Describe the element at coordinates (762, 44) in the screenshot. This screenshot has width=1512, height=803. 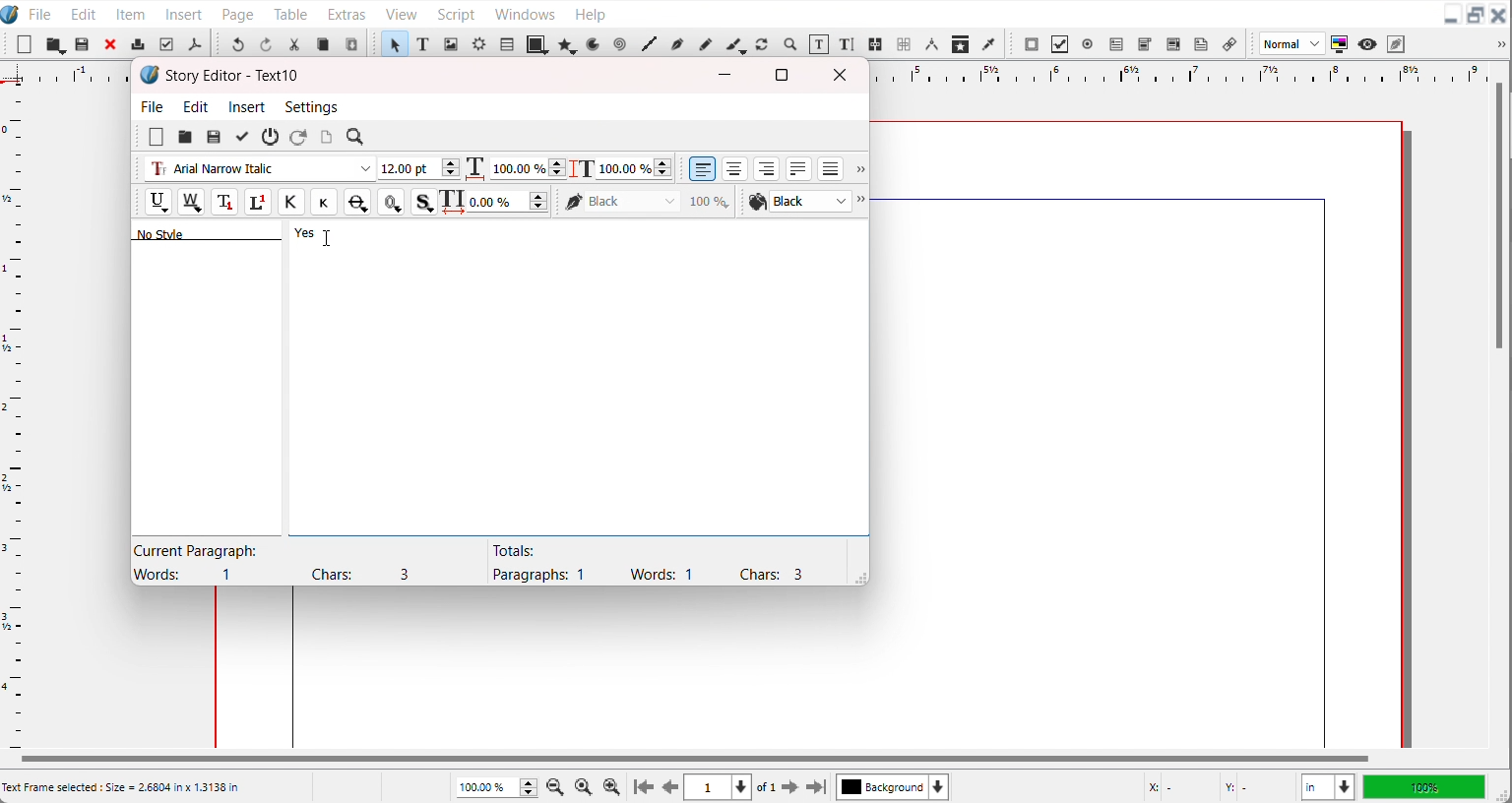
I see `Rotate item` at that location.